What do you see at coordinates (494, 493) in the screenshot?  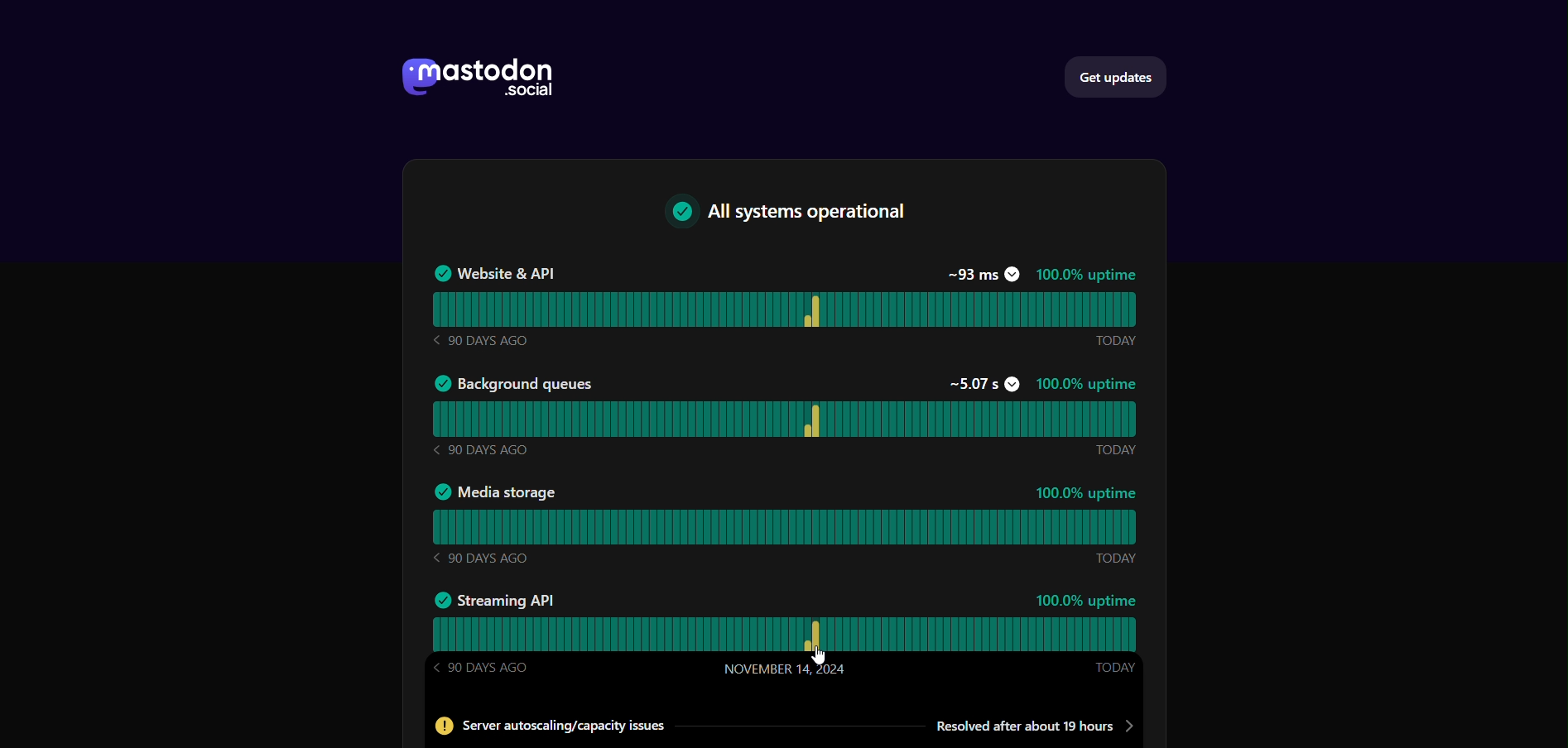 I see `Media storage` at bounding box center [494, 493].